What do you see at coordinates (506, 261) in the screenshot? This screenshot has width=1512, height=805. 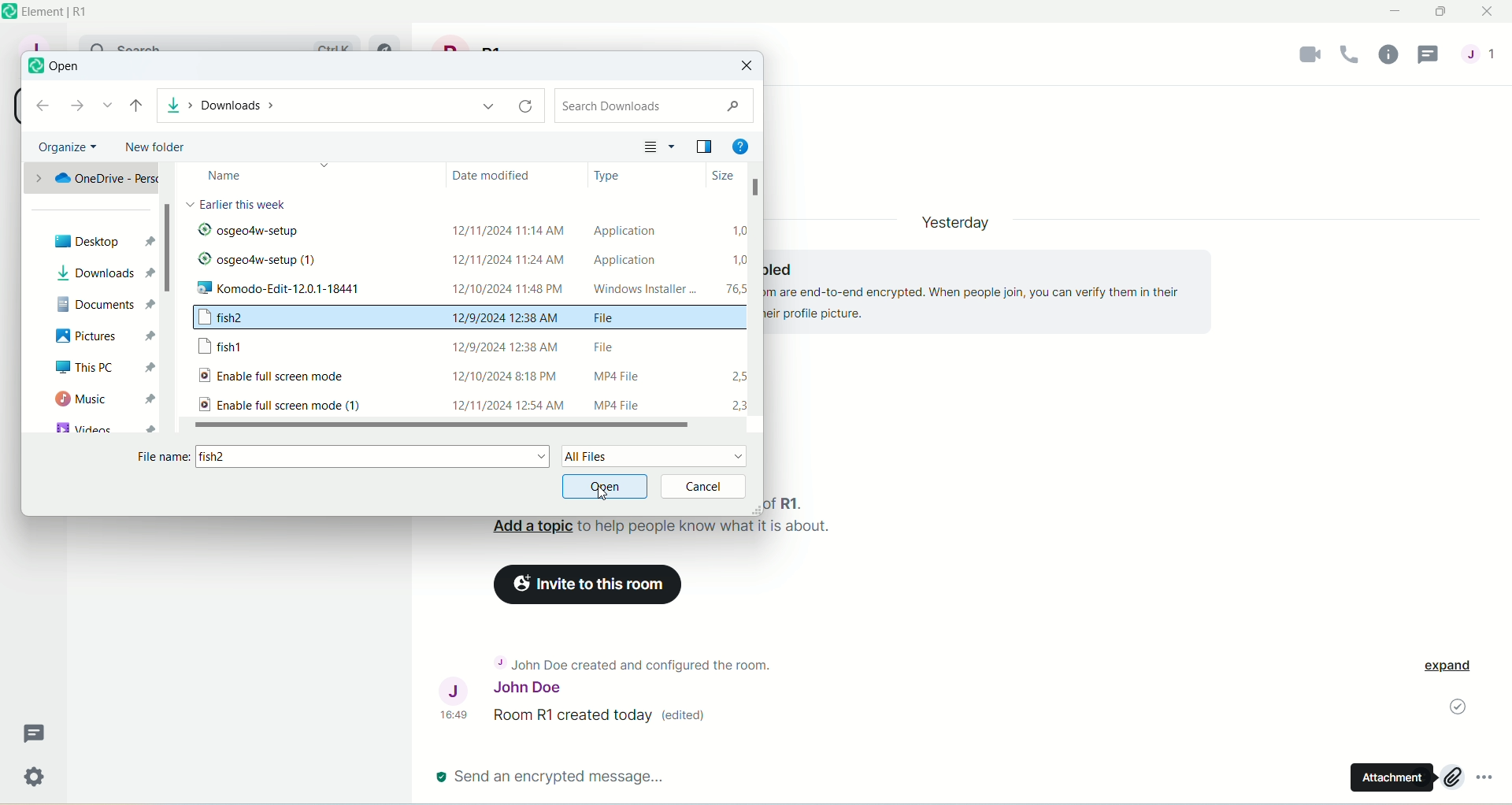 I see `12/11/2024 11:24 AM` at bounding box center [506, 261].